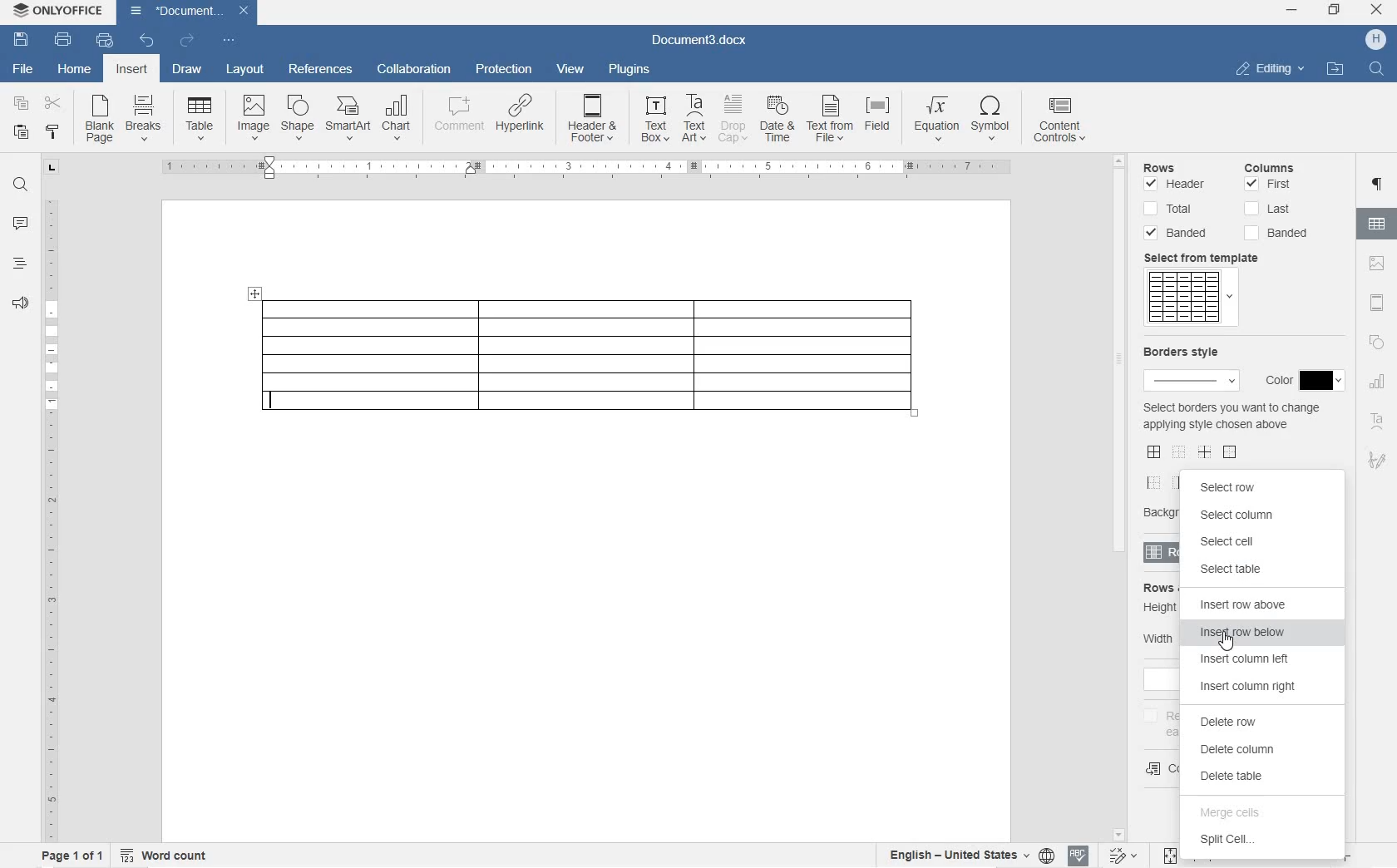 Image resolution: width=1397 pixels, height=868 pixels. What do you see at coordinates (186, 40) in the screenshot?
I see `REDO` at bounding box center [186, 40].